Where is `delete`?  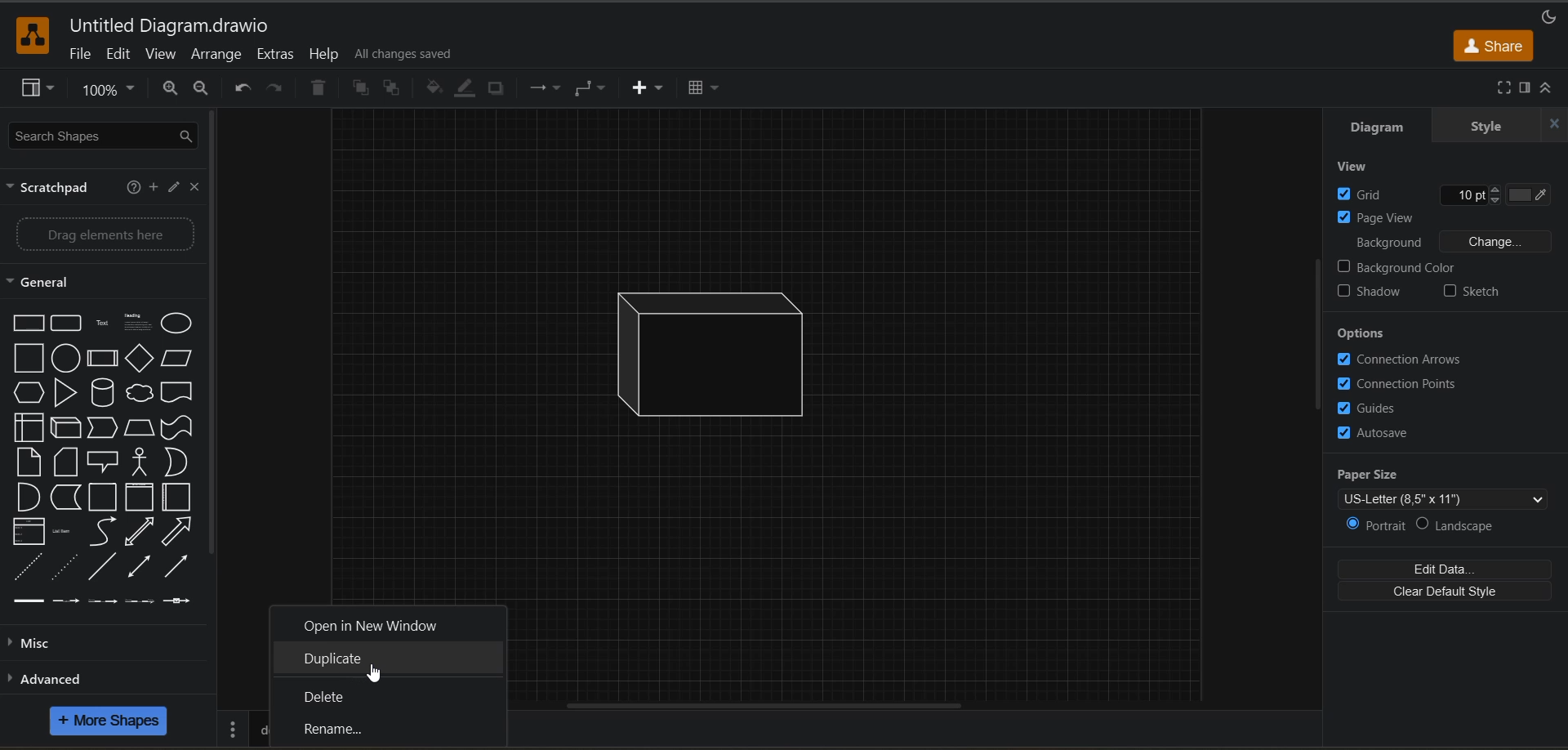
delete is located at coordinates (355, 698).